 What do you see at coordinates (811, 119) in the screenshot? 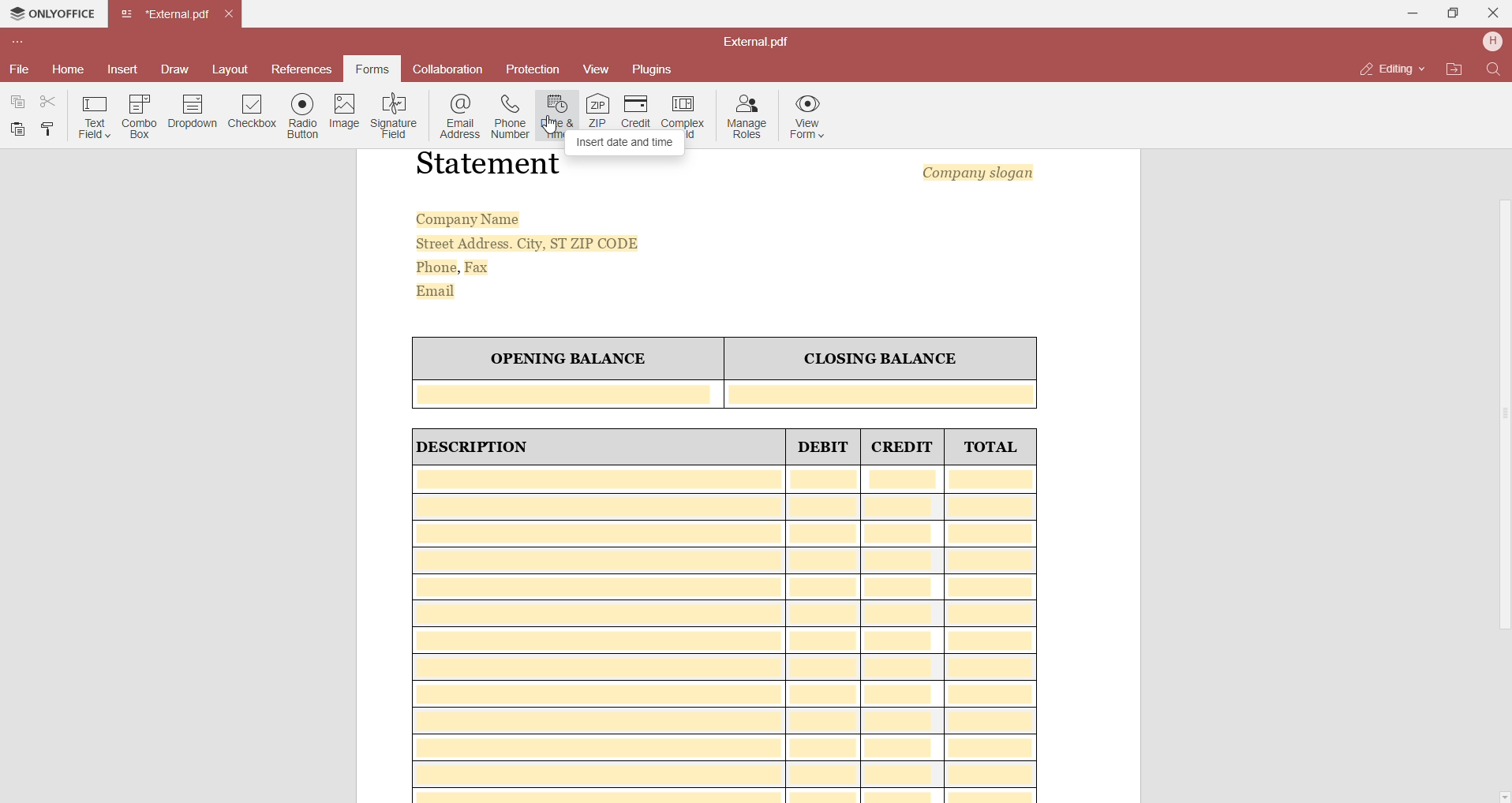
I see `View Form` at bounding box center [811, 119].